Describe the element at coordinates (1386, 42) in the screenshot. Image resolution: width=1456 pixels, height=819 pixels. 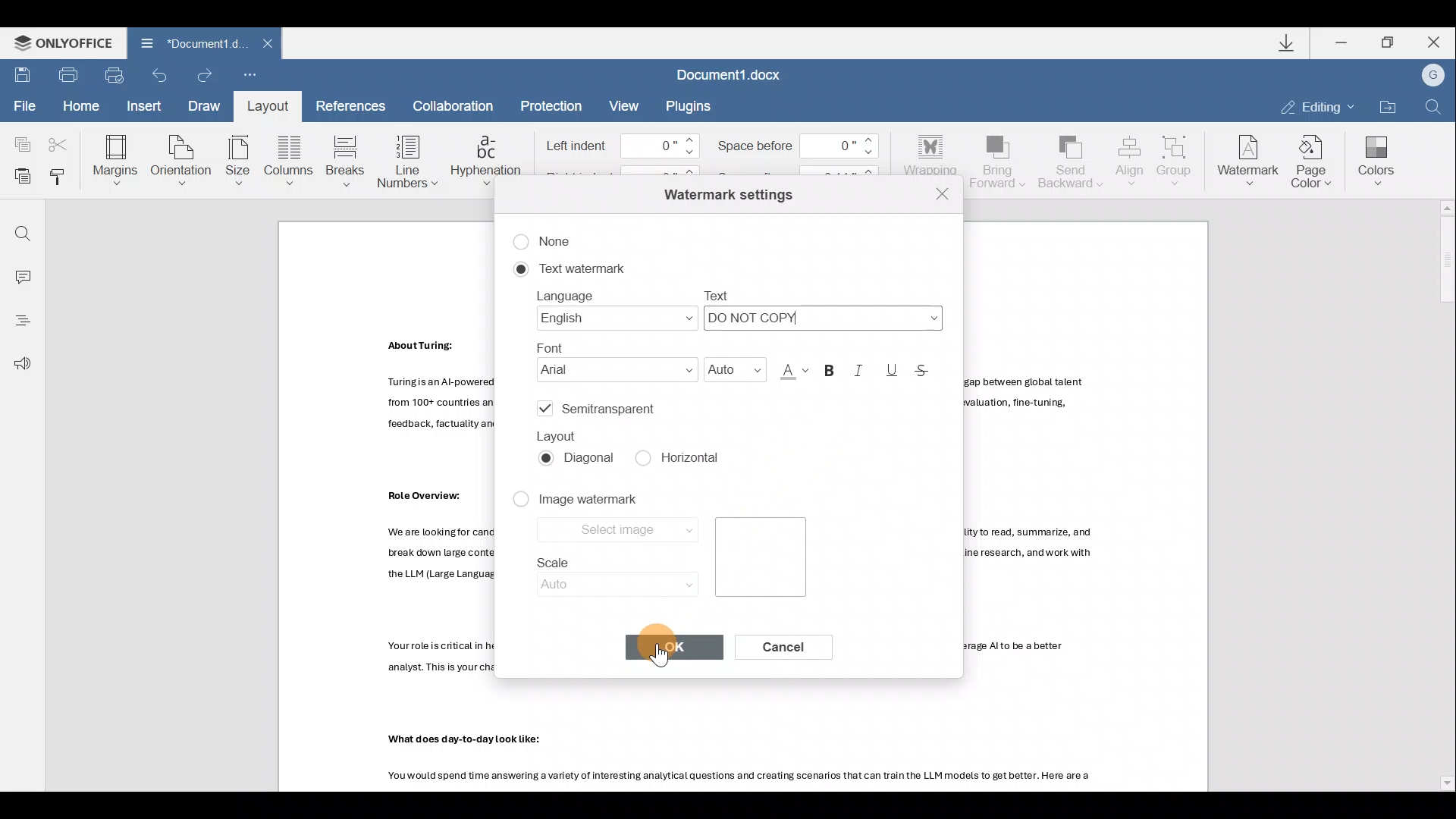
I see `Maximize` at that location.